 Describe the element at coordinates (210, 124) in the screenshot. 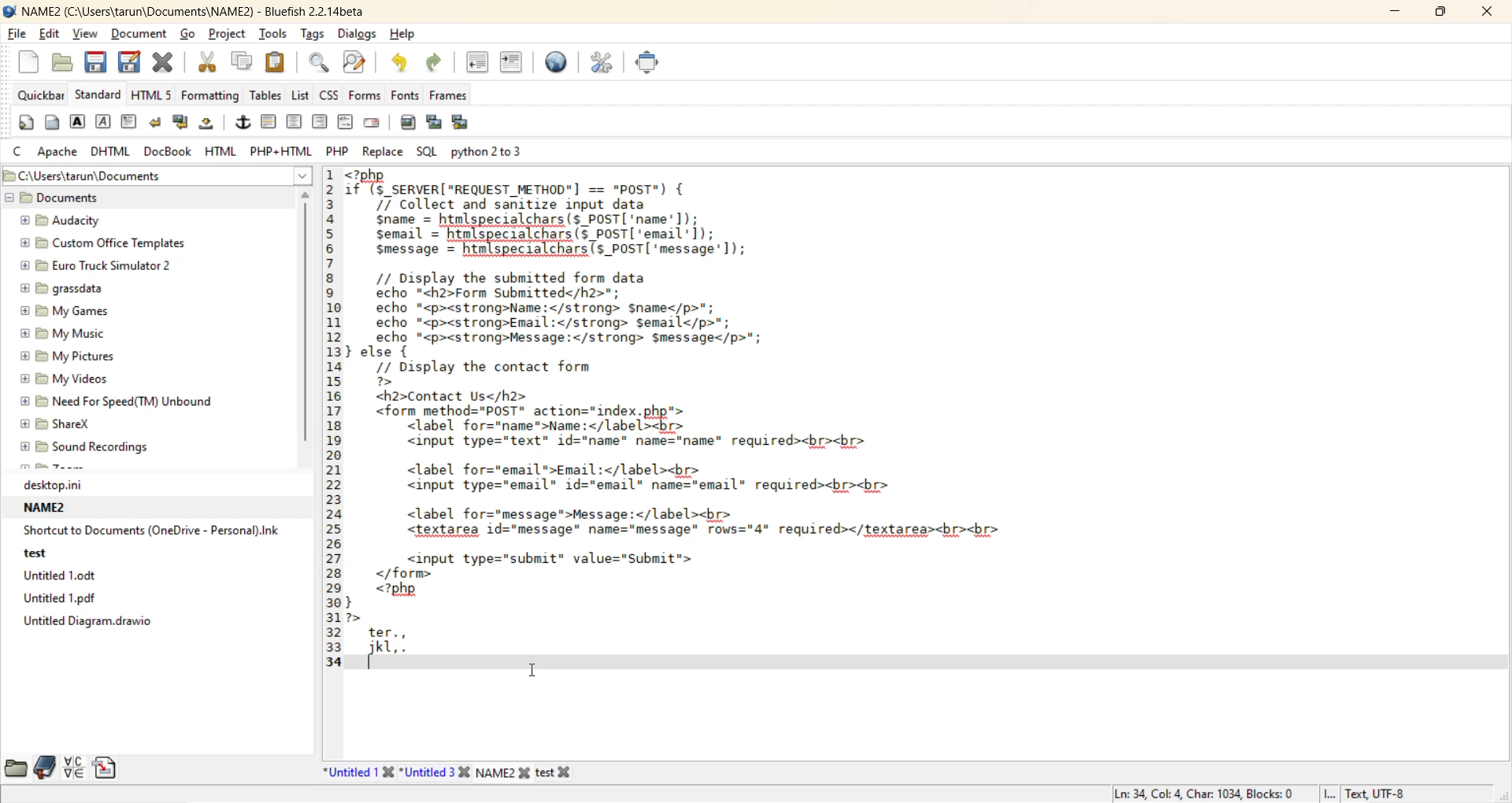

I see `non breaking space` at that location.